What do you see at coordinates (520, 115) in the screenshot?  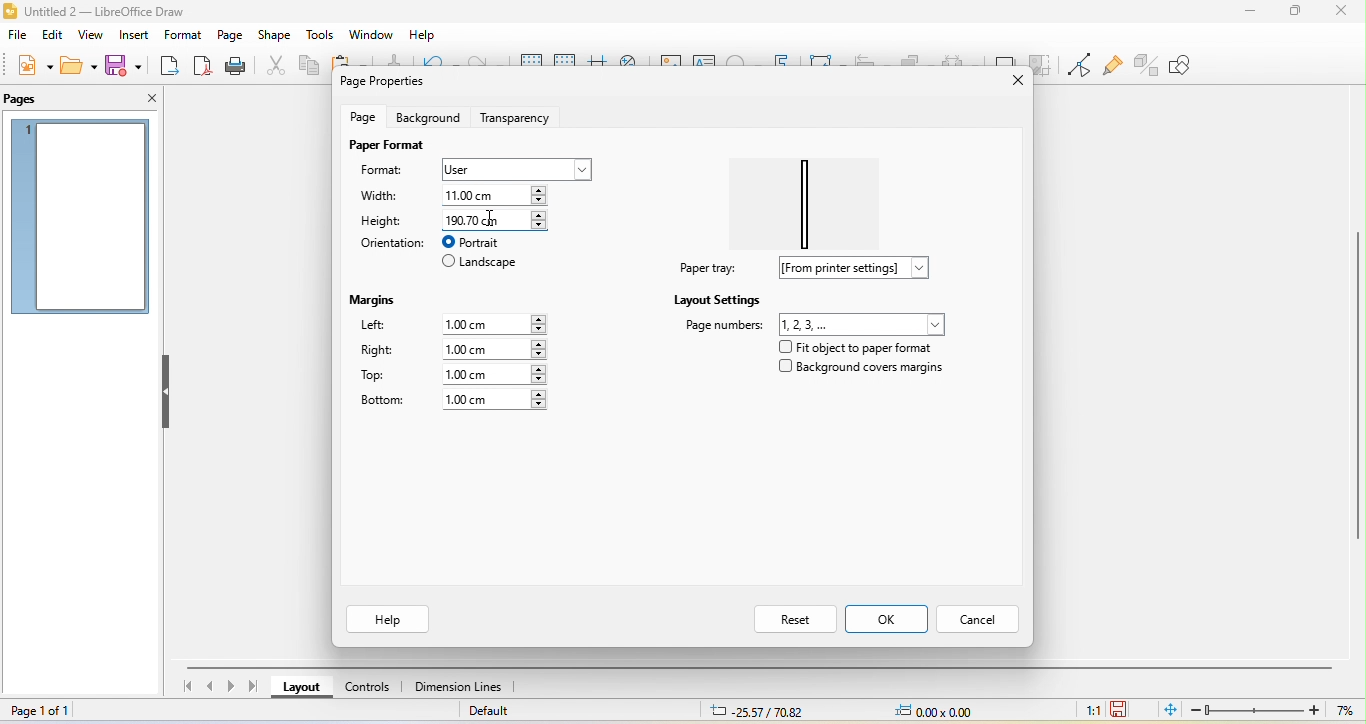 I see `transparency` at bounding box center [520, 115].